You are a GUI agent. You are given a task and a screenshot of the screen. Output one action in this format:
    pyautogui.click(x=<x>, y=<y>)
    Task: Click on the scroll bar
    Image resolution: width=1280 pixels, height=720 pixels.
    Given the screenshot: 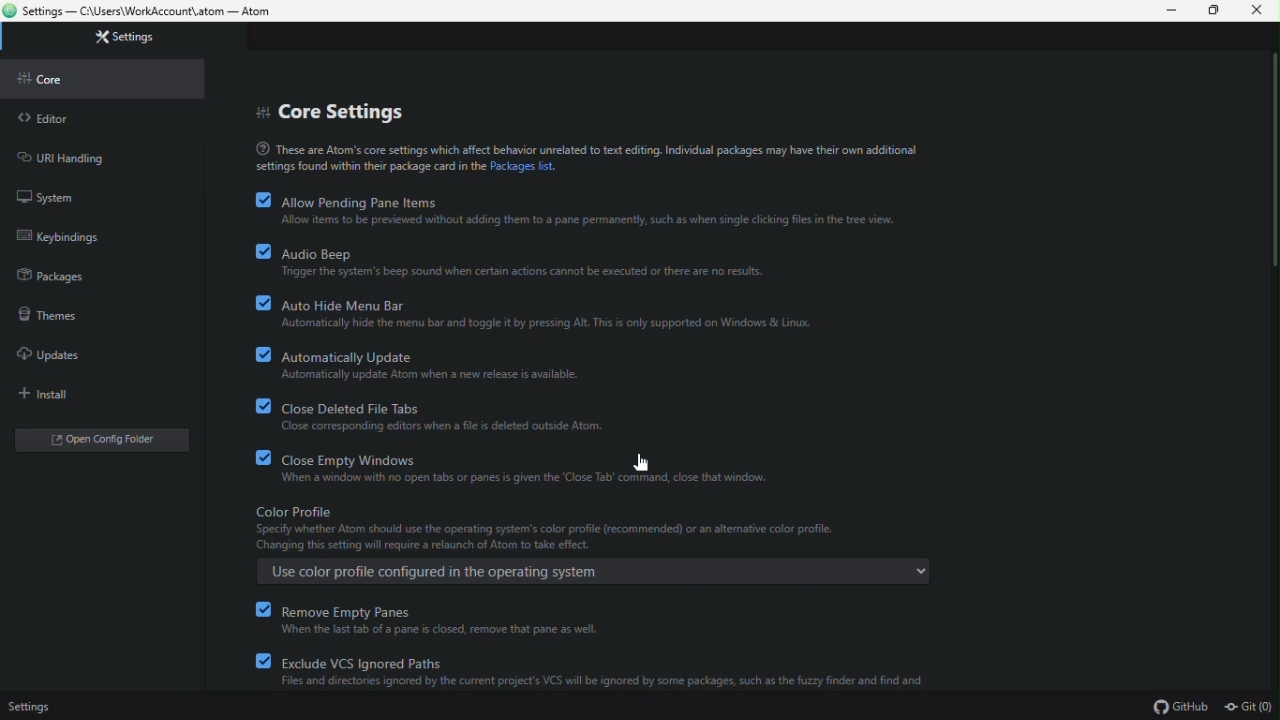 What is the action you would take?
    pyautogui.click(x=1271, y=164)
    